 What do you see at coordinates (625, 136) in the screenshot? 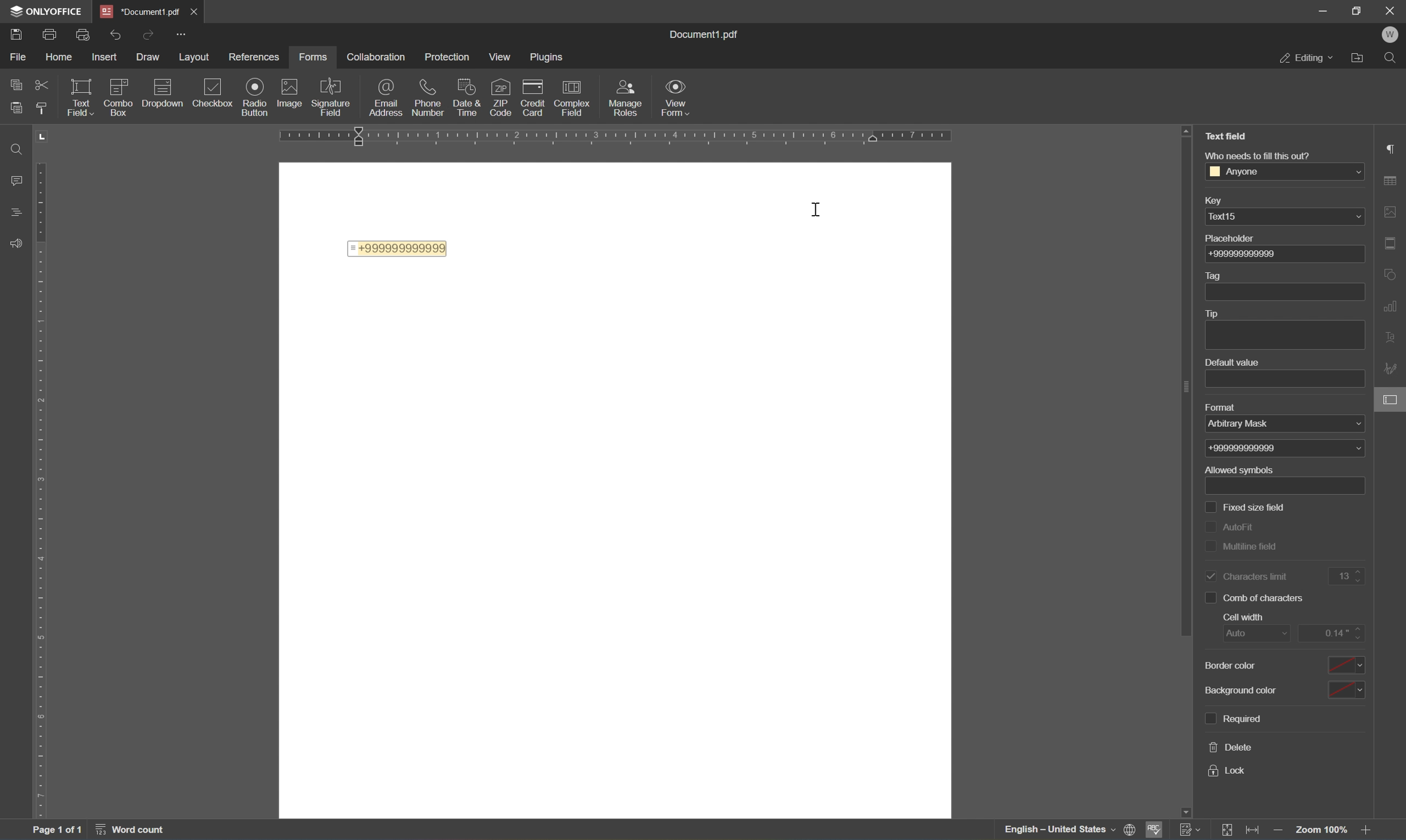
I see `ruler` at bounding box center [625, 136].